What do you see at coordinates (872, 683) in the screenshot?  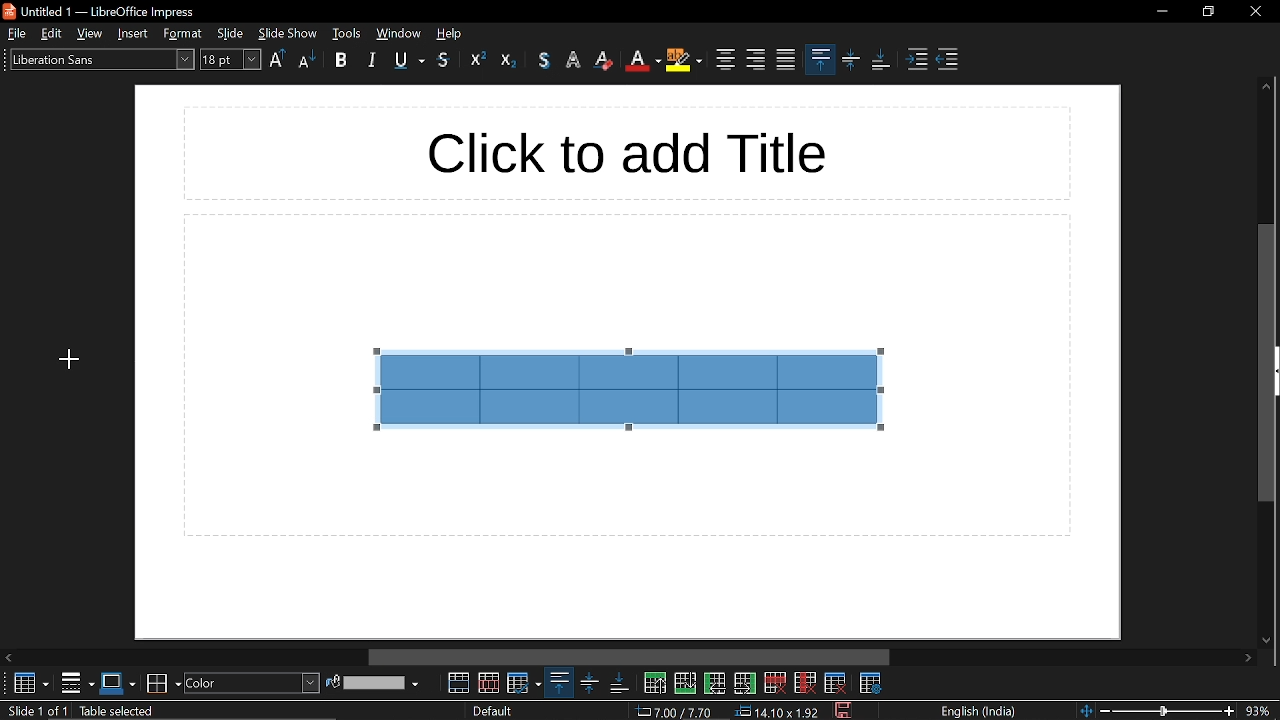 I see `table properties` at bounding box center [872, 683].